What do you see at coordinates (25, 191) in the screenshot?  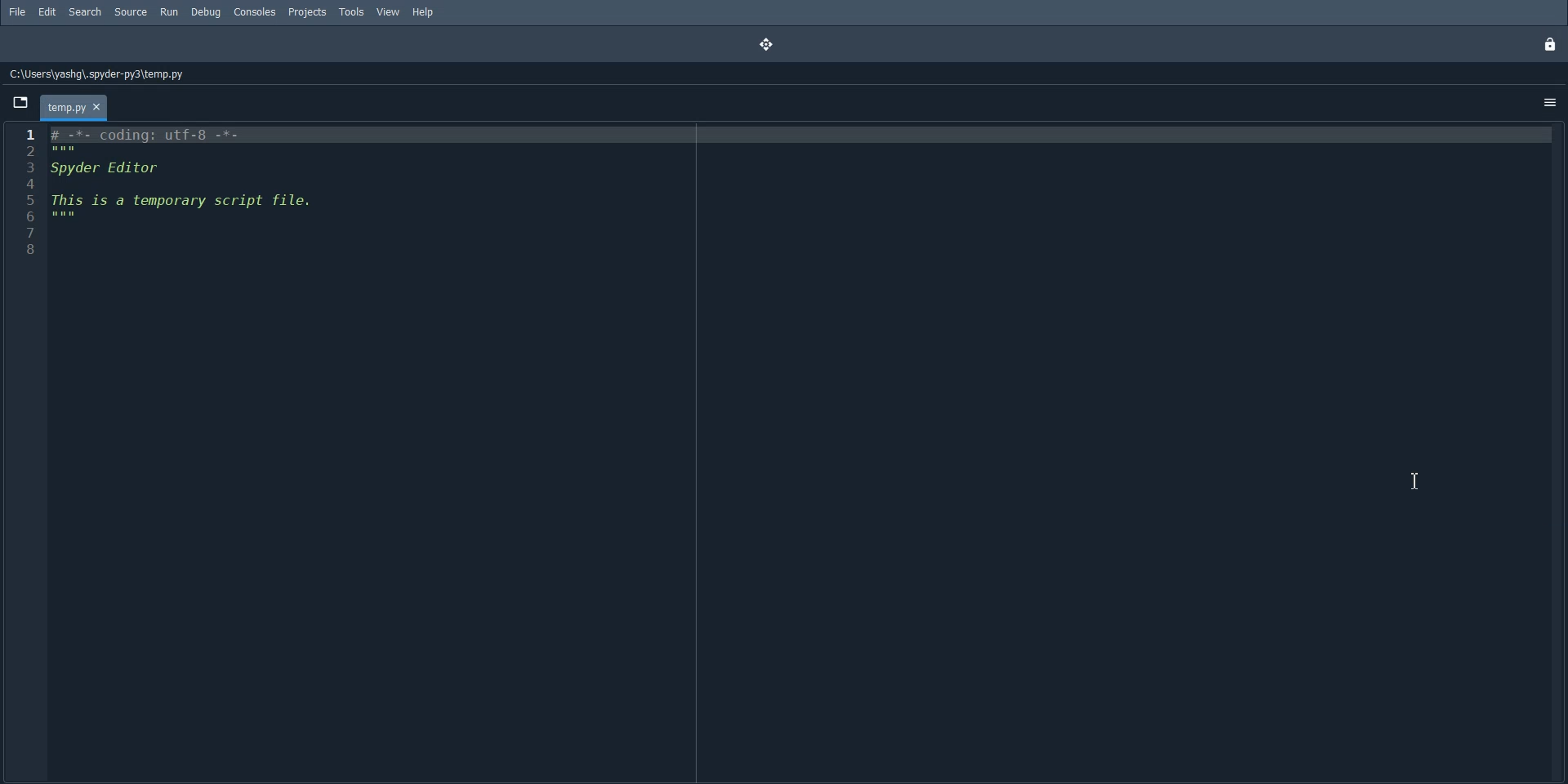 I see `Line Number` at bounding box center [25, 191].